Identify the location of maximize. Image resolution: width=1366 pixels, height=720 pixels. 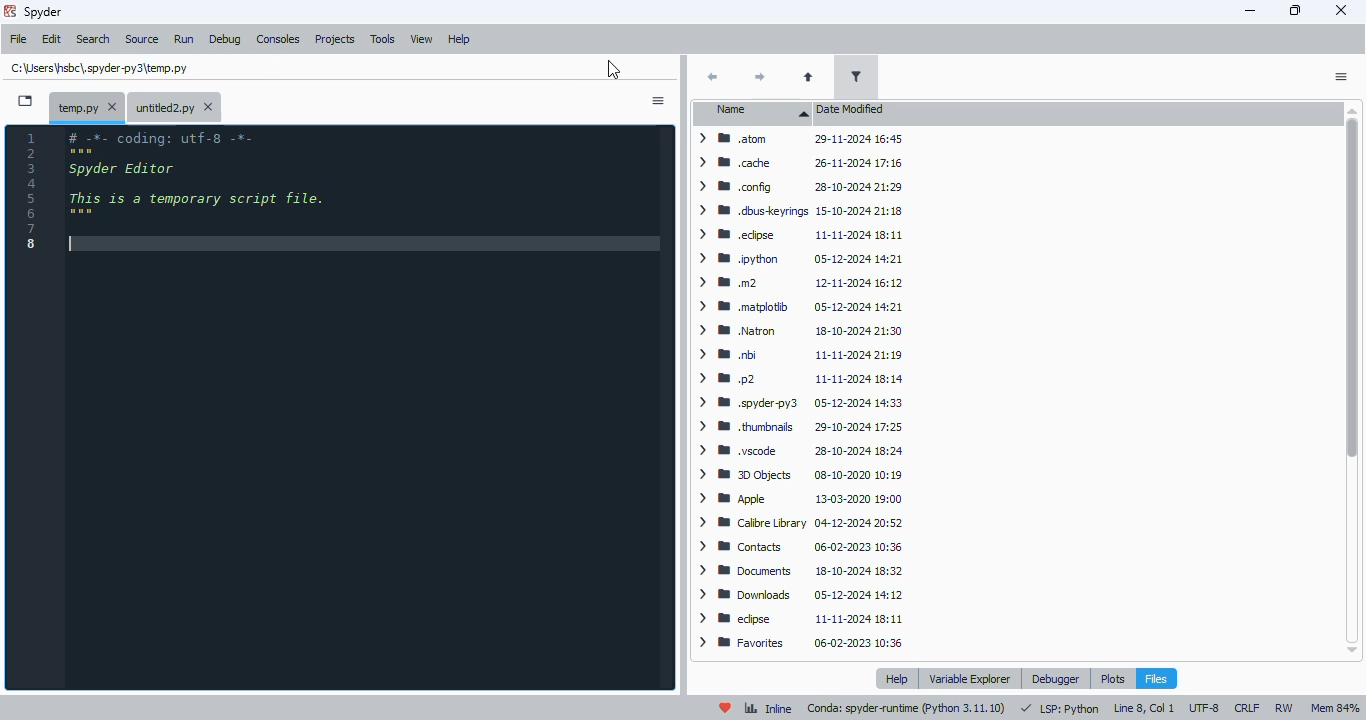
(1297, 10).